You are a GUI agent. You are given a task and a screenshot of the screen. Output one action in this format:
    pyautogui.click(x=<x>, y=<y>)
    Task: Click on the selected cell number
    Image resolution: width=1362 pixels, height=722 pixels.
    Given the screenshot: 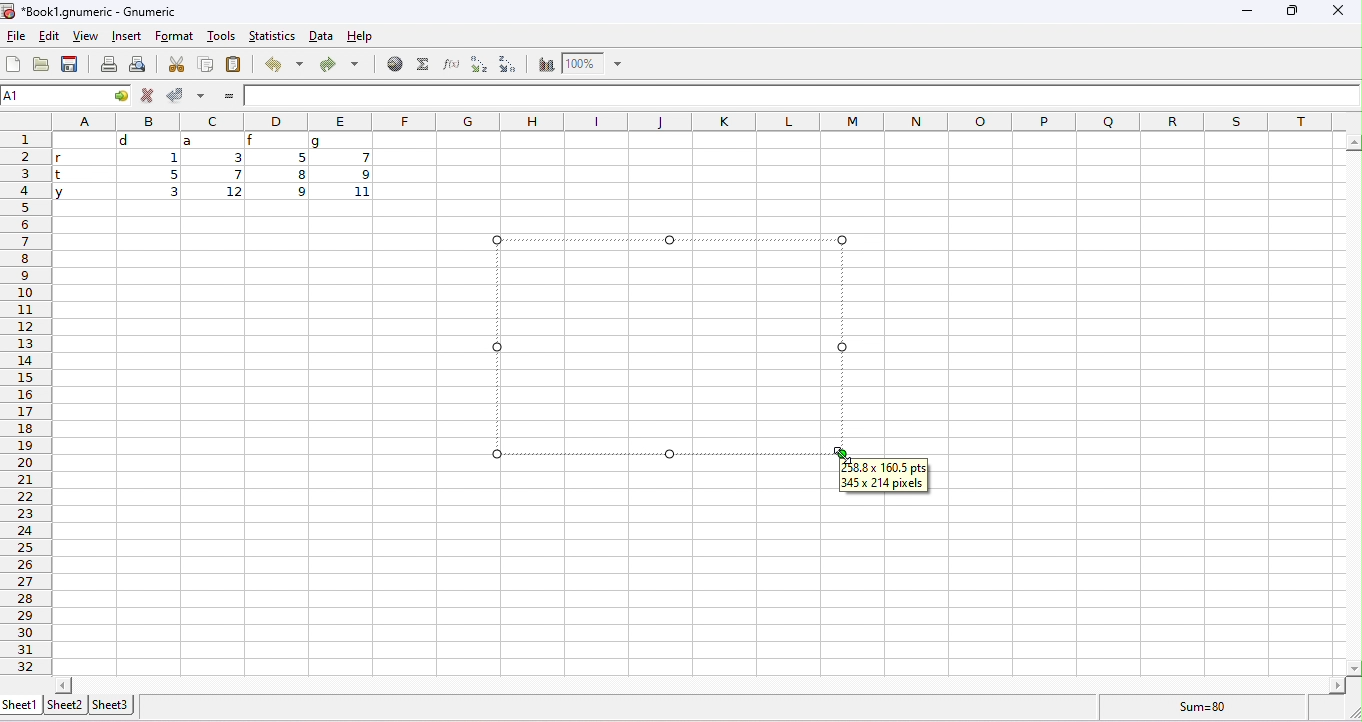 What is the action you would take?
    pyautogui.click(x=52, y=96)
    